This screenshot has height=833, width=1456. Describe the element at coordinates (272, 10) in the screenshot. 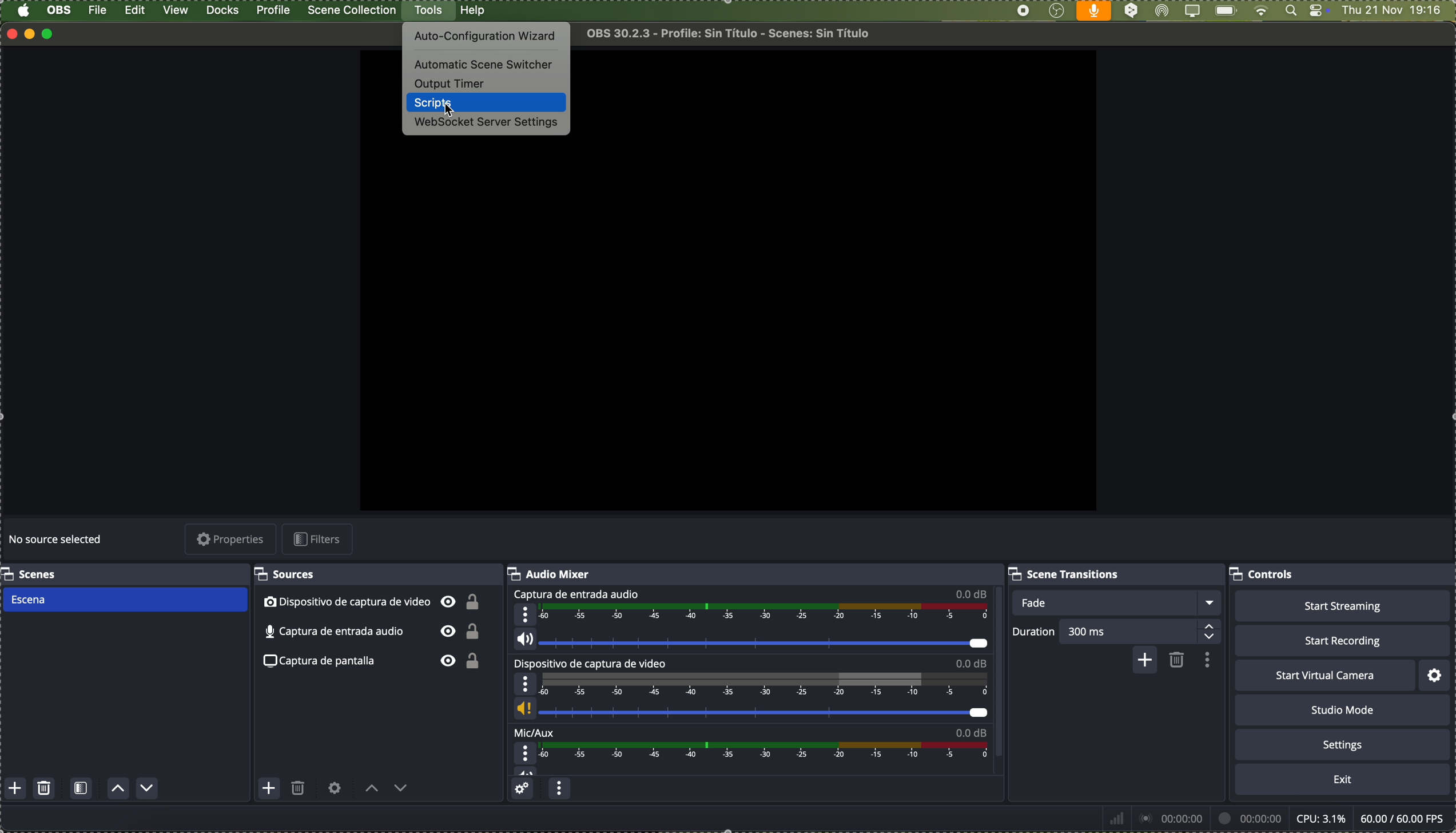

I see `profile` at that location.